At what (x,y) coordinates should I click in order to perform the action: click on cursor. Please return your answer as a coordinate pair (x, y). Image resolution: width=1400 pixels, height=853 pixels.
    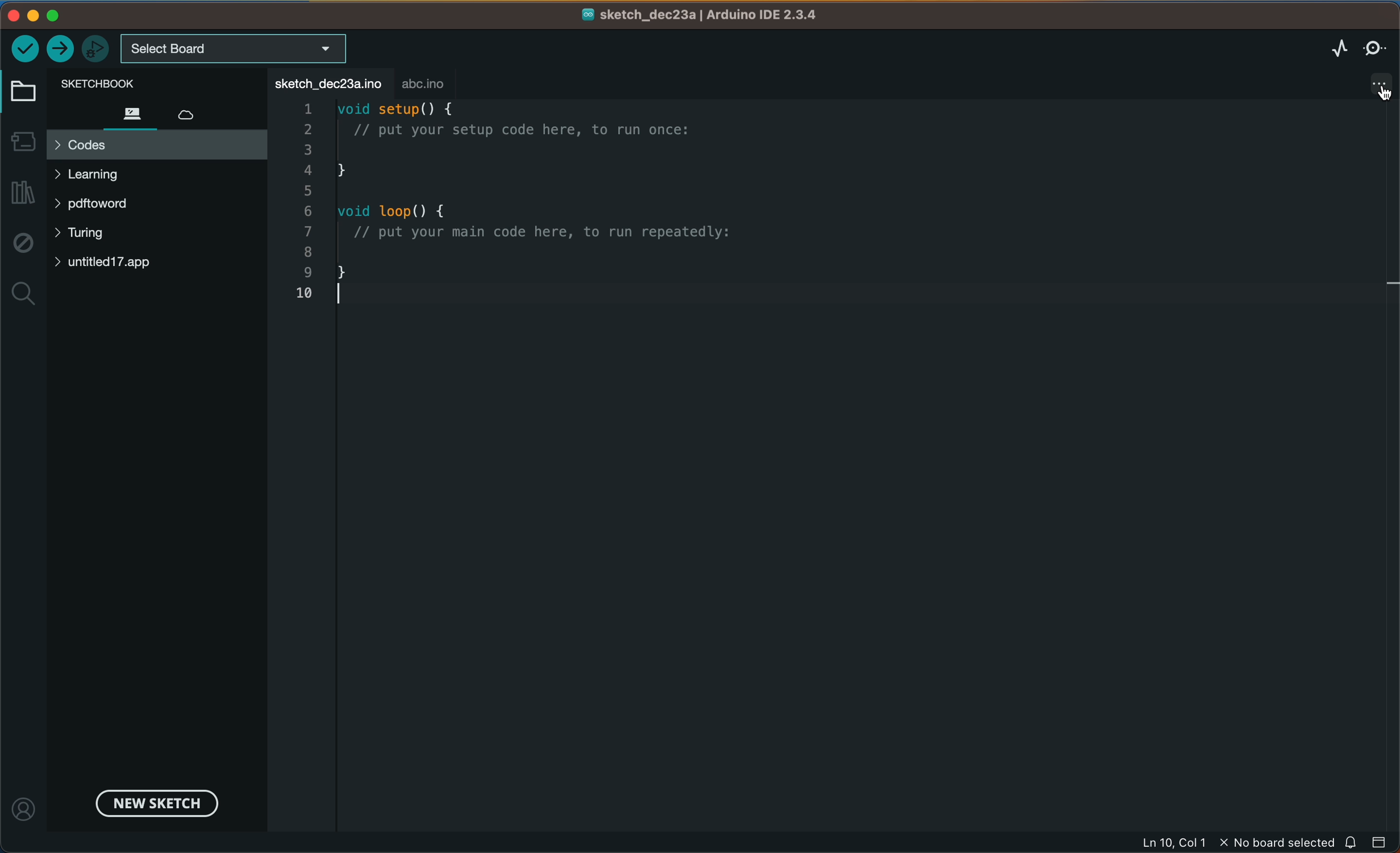
    Looking at the image, I should click on (1376, 103).